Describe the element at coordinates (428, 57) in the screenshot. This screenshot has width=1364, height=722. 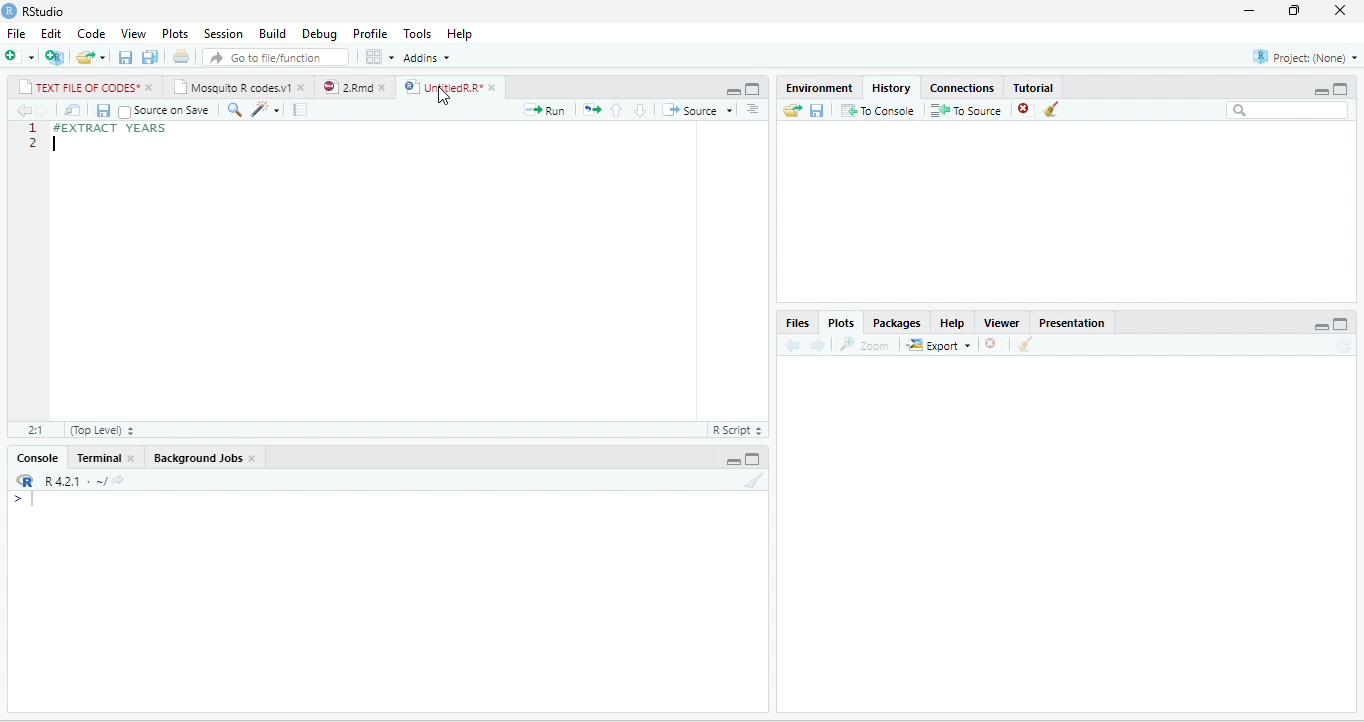
I see `Addins` at that location.